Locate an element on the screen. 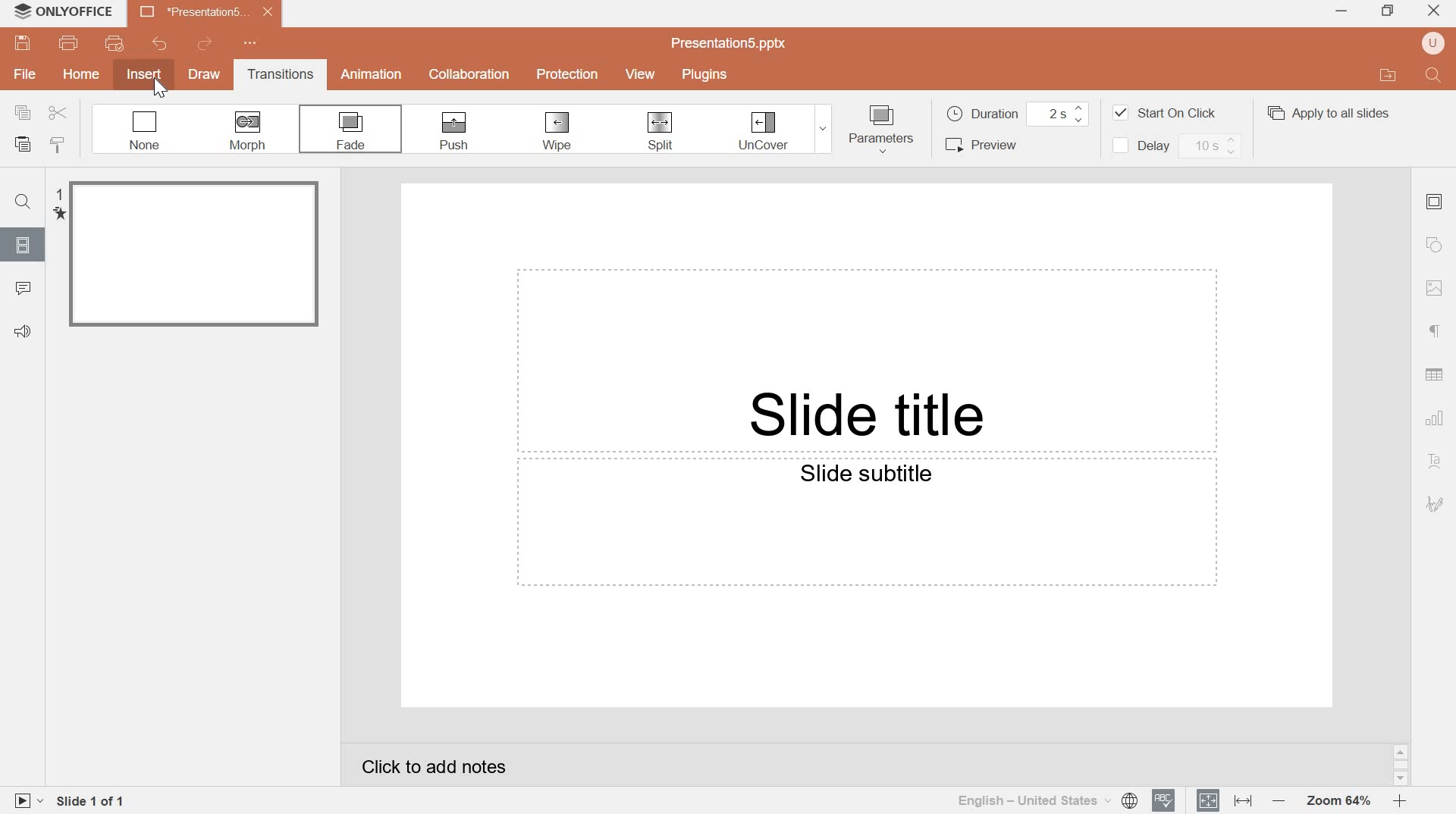 The height and width of the screenshot is (814, 1456). Feedback & support is located at coordinates (24, 333).